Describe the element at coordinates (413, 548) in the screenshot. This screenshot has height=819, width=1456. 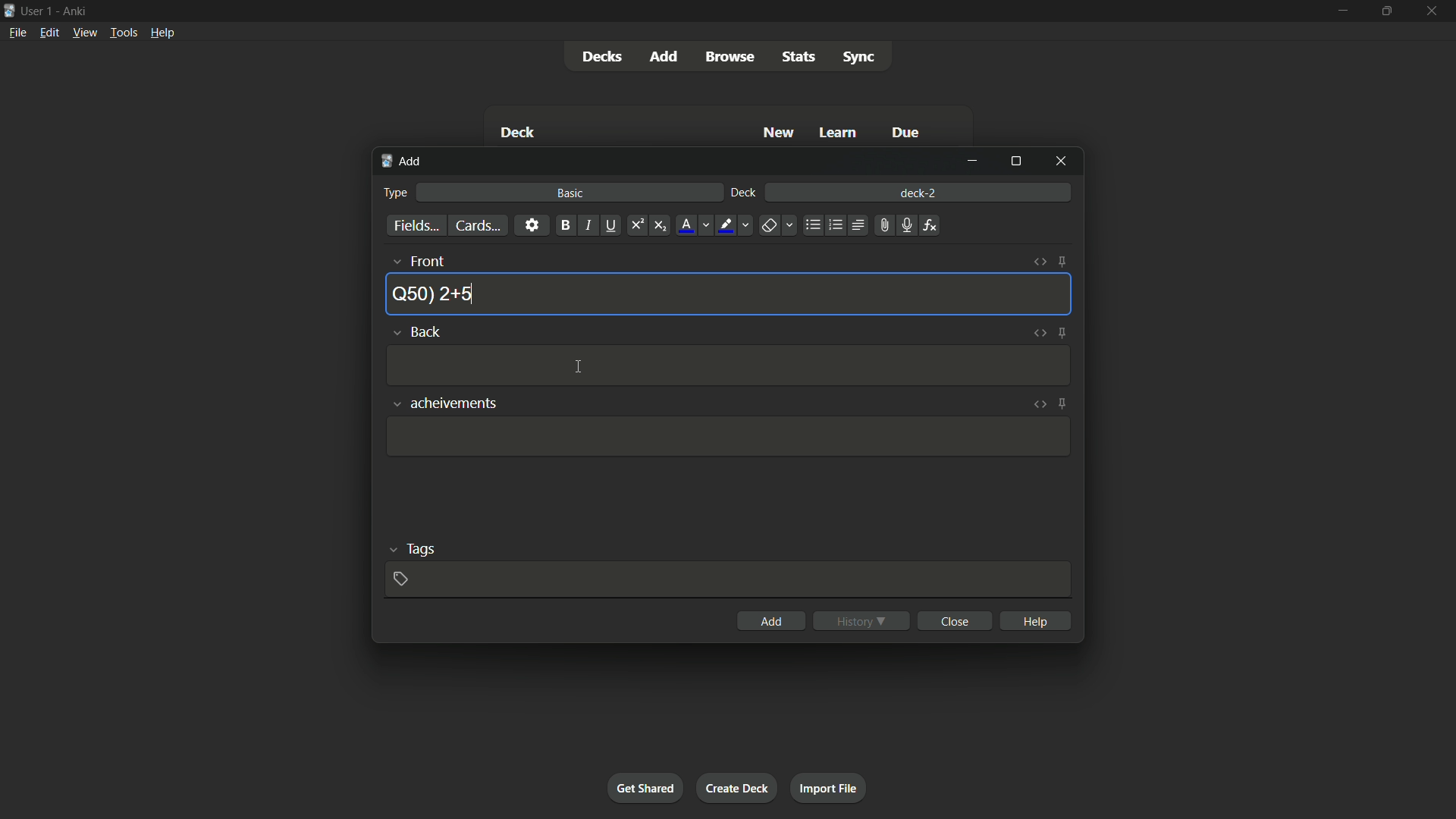
I see `tags` at that location.